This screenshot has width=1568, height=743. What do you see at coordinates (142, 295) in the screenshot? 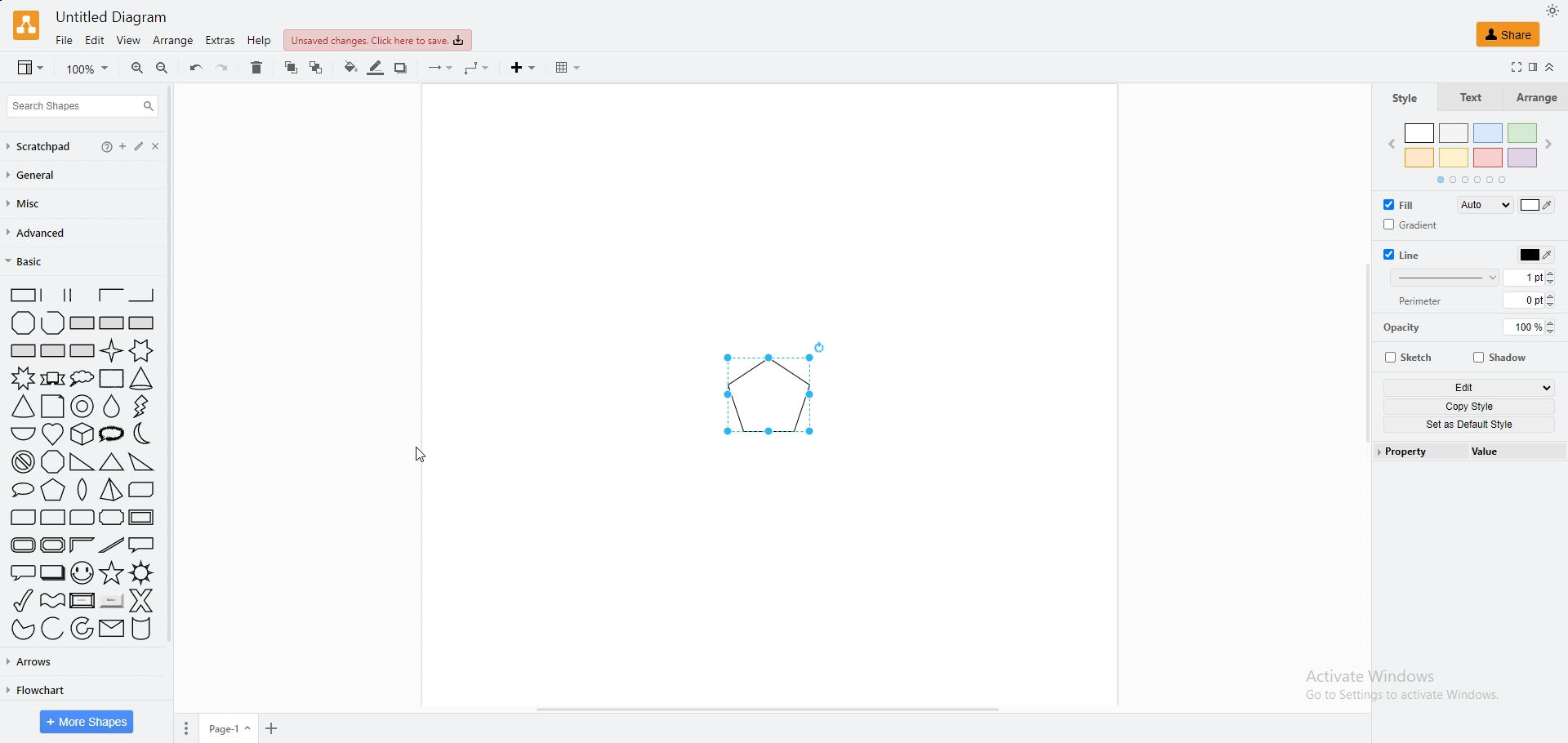
I see `partial rectangle` at bounding box center [142, 295].